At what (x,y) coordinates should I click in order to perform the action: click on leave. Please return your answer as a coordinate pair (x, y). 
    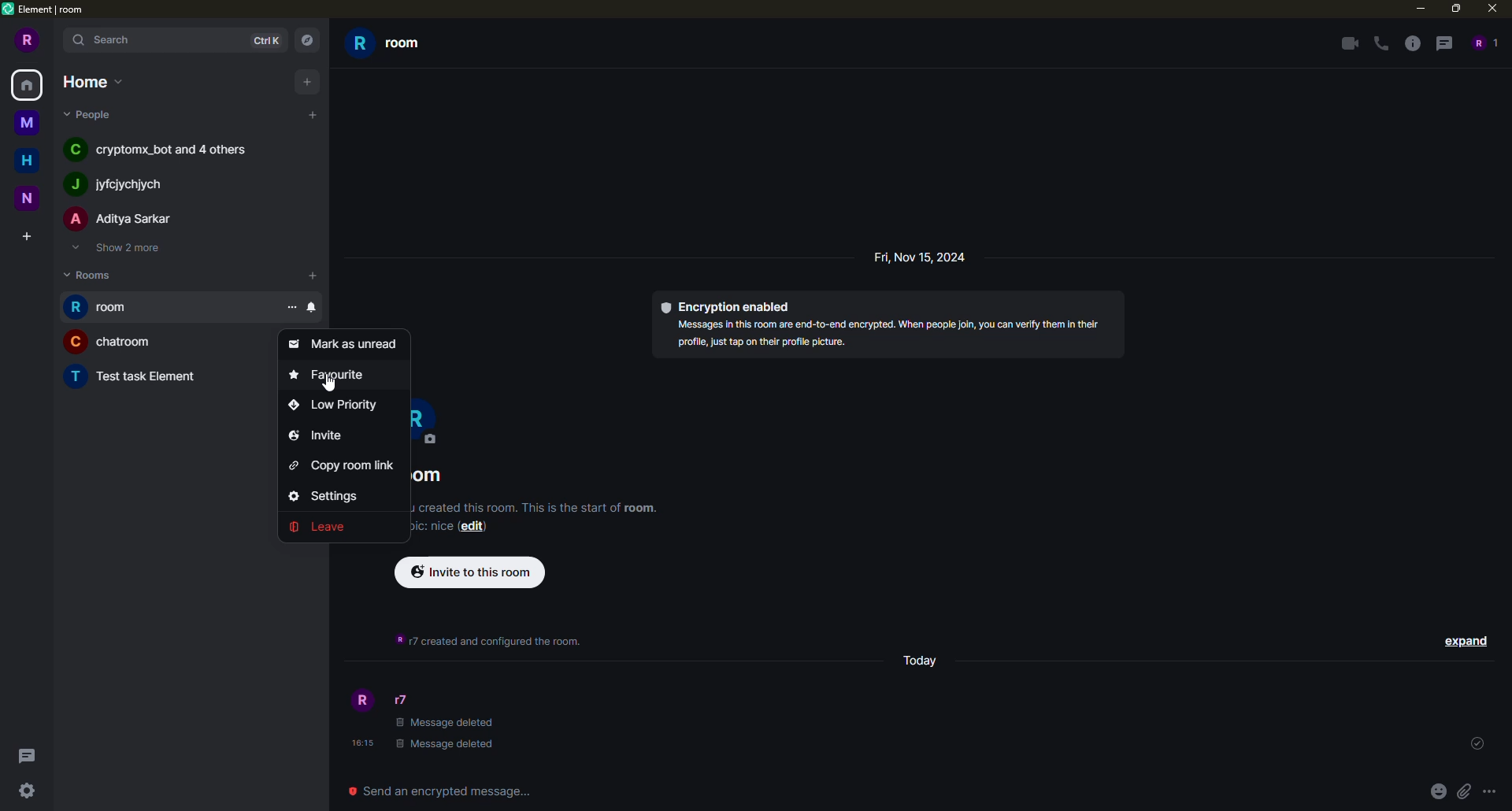
    Looking at the image, I should click on (327, 525).